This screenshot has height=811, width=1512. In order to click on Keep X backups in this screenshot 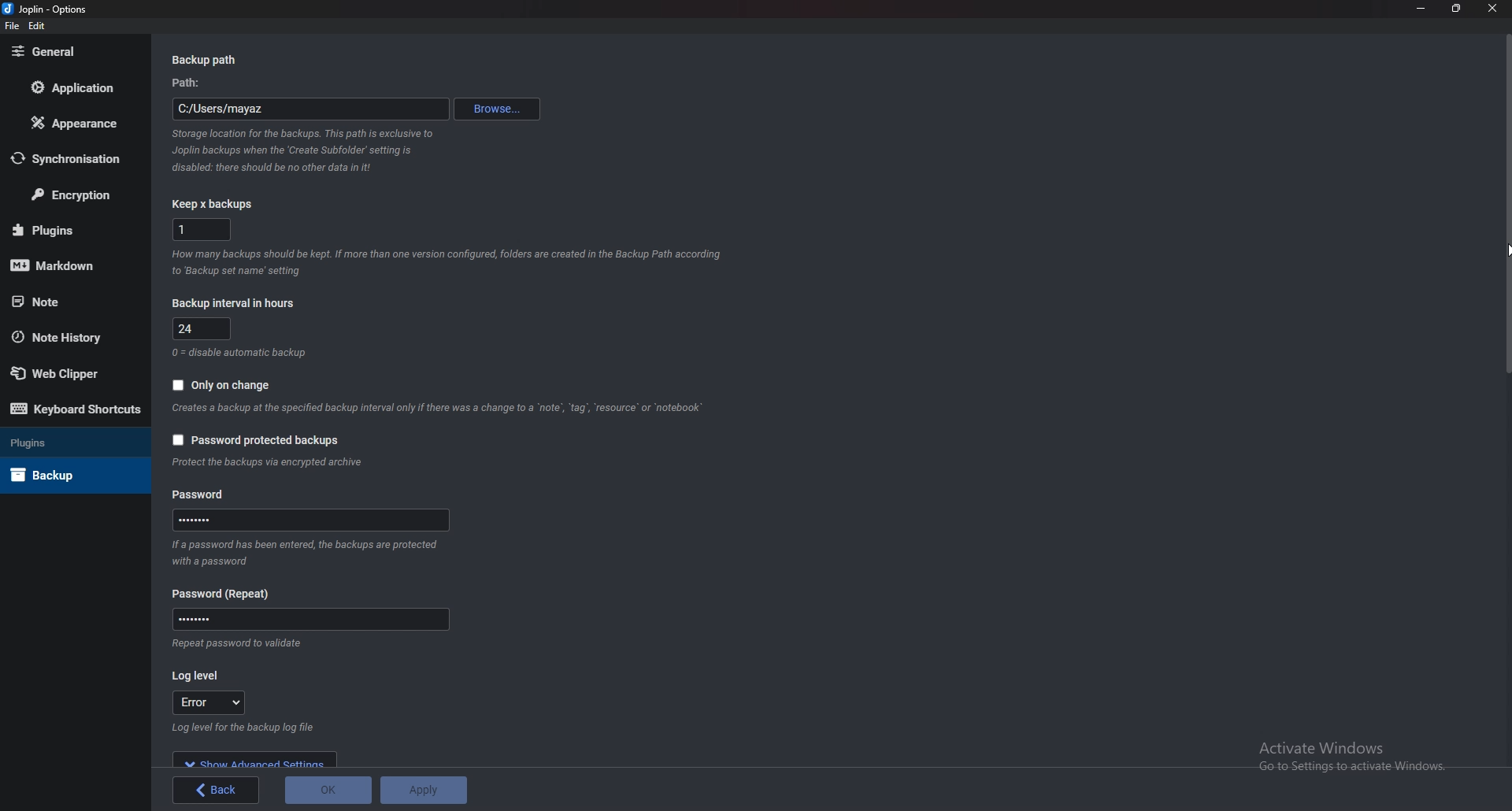, I will do `click(215, 205)`.